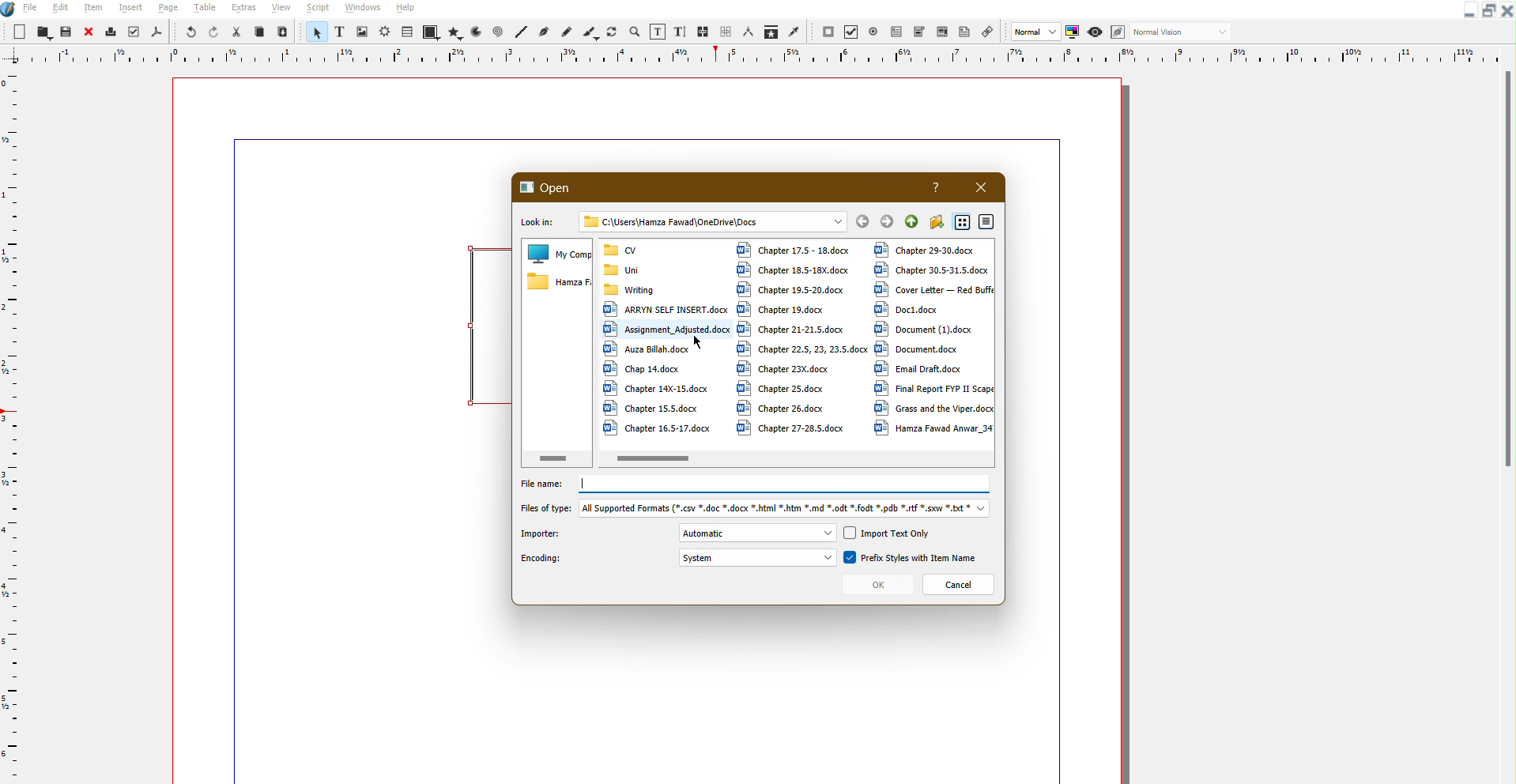  Describe the element at coordinates (1182, 32) in the screenshot. I see `Normal Vision` at that location.